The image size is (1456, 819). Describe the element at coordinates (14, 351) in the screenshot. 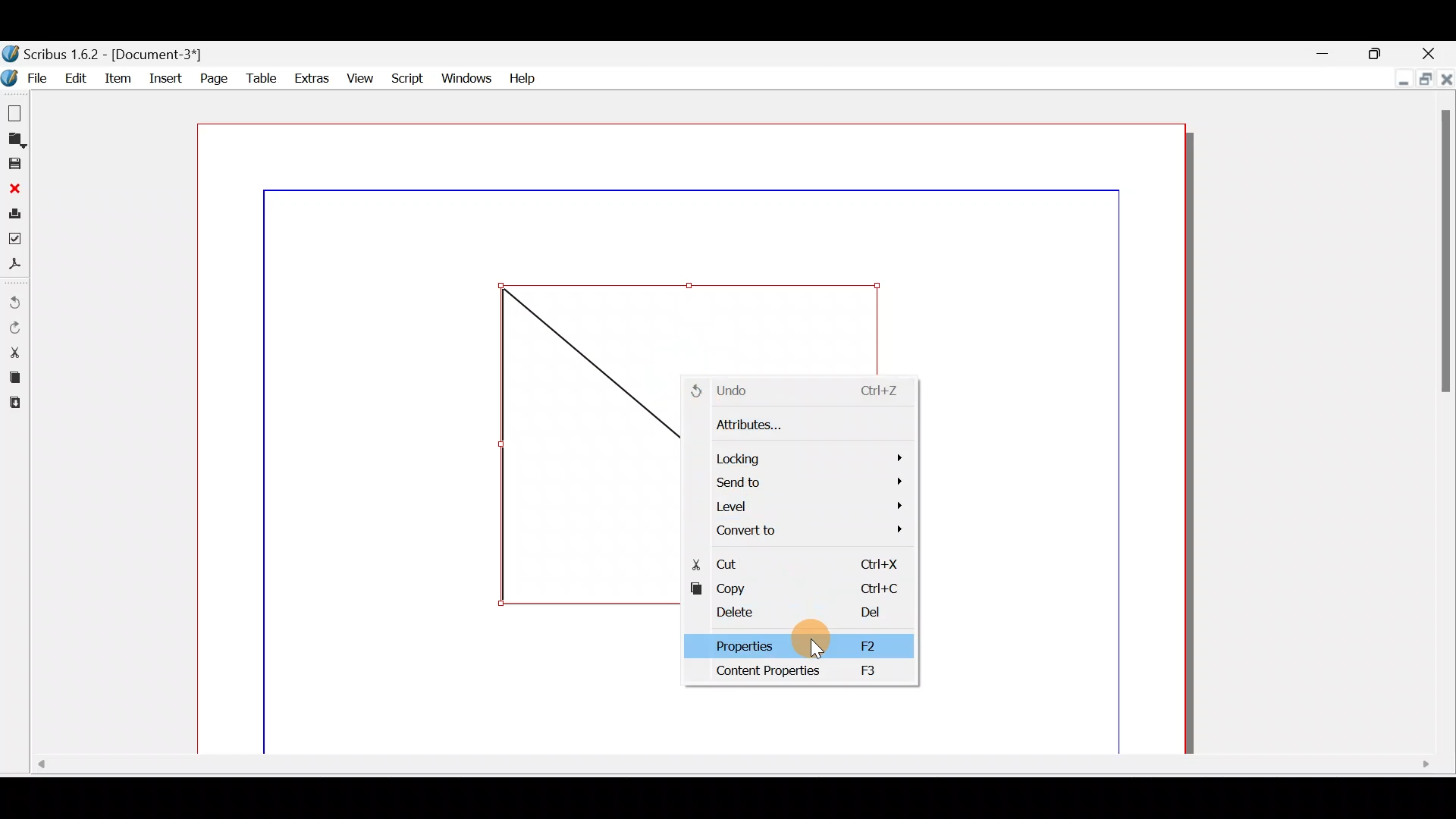

I see `Cut` at that location.